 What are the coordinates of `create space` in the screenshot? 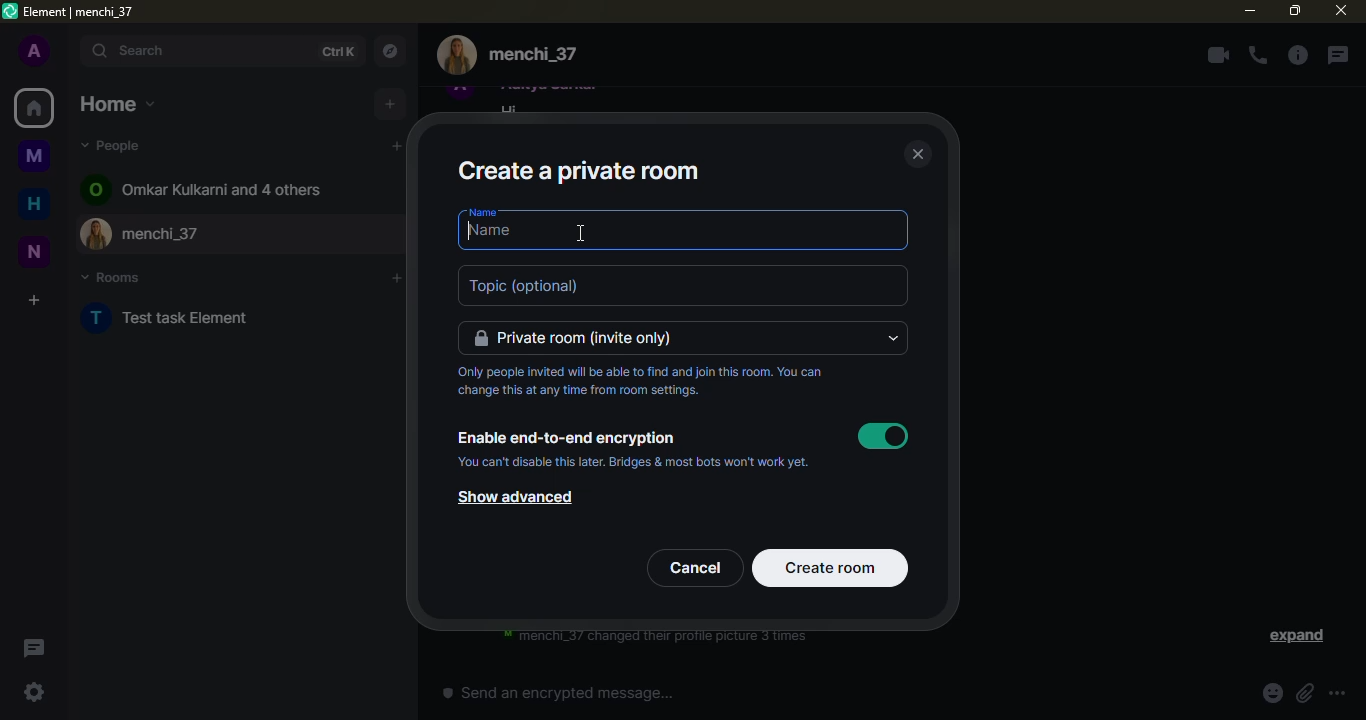 It's located at (34, 300).